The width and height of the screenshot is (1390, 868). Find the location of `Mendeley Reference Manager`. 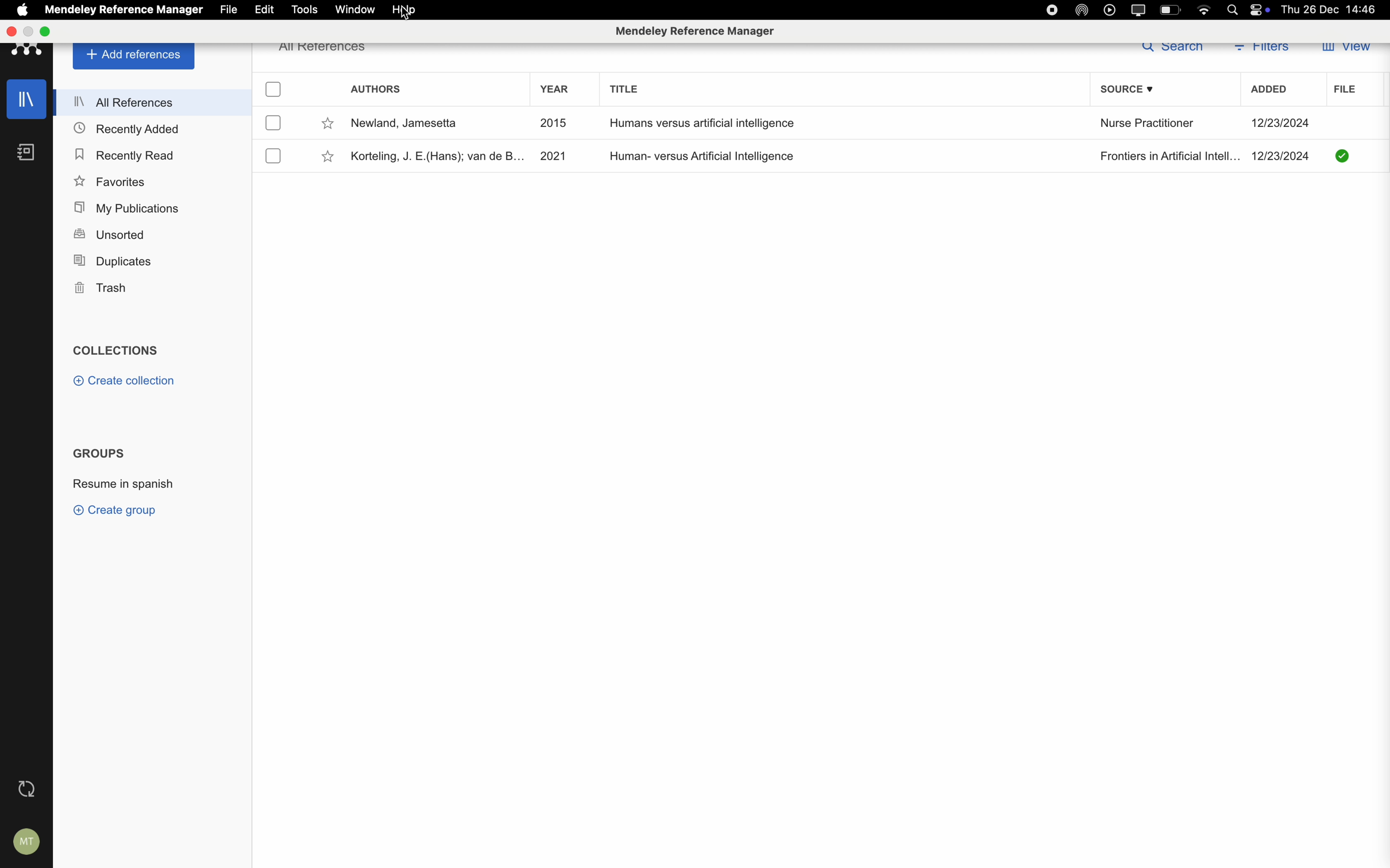

Mendeley Reference Manager is located at coordinates (703, 30).